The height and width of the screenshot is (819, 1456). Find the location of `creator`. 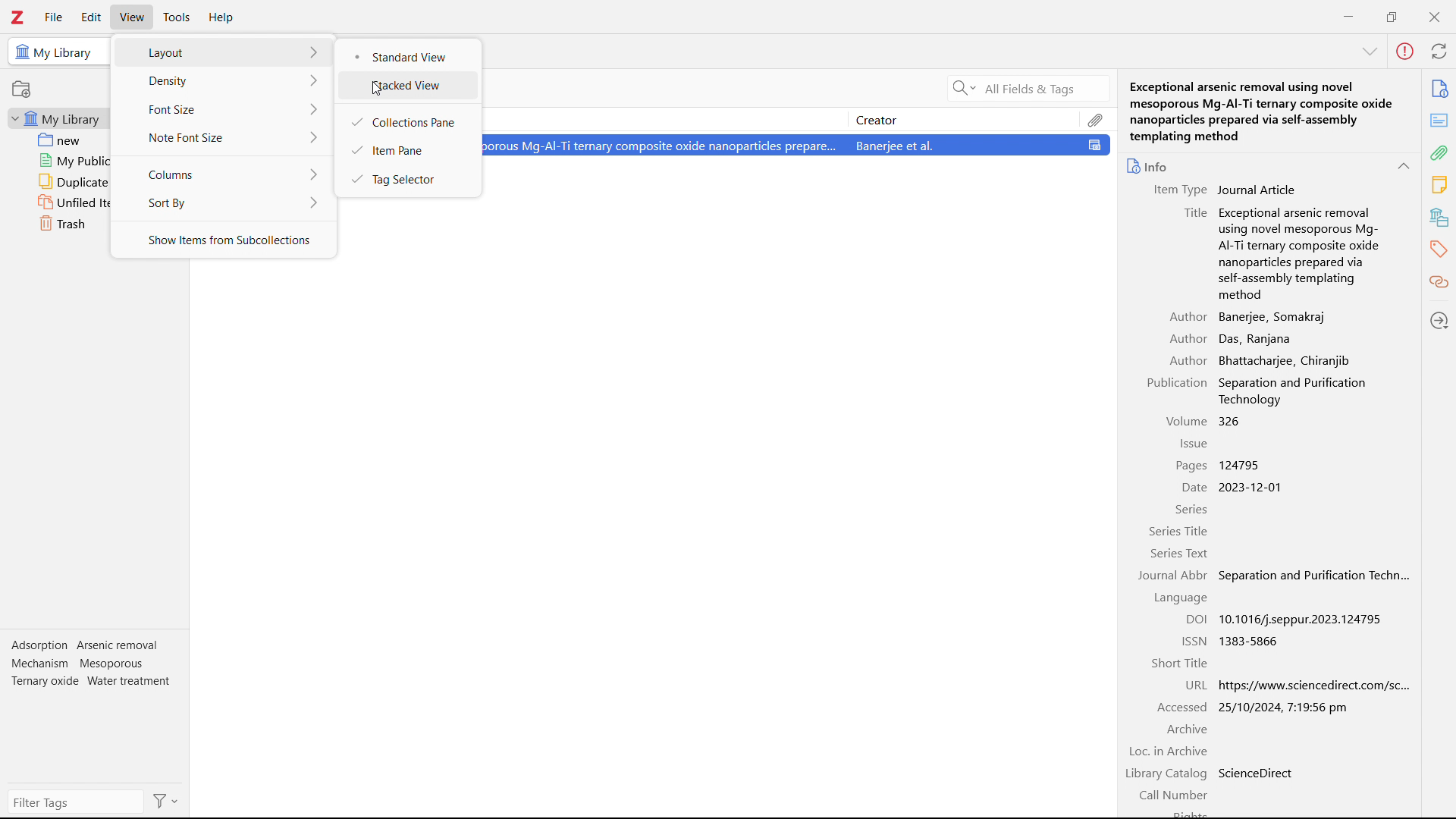

creator is located at coordinates (965, 118).